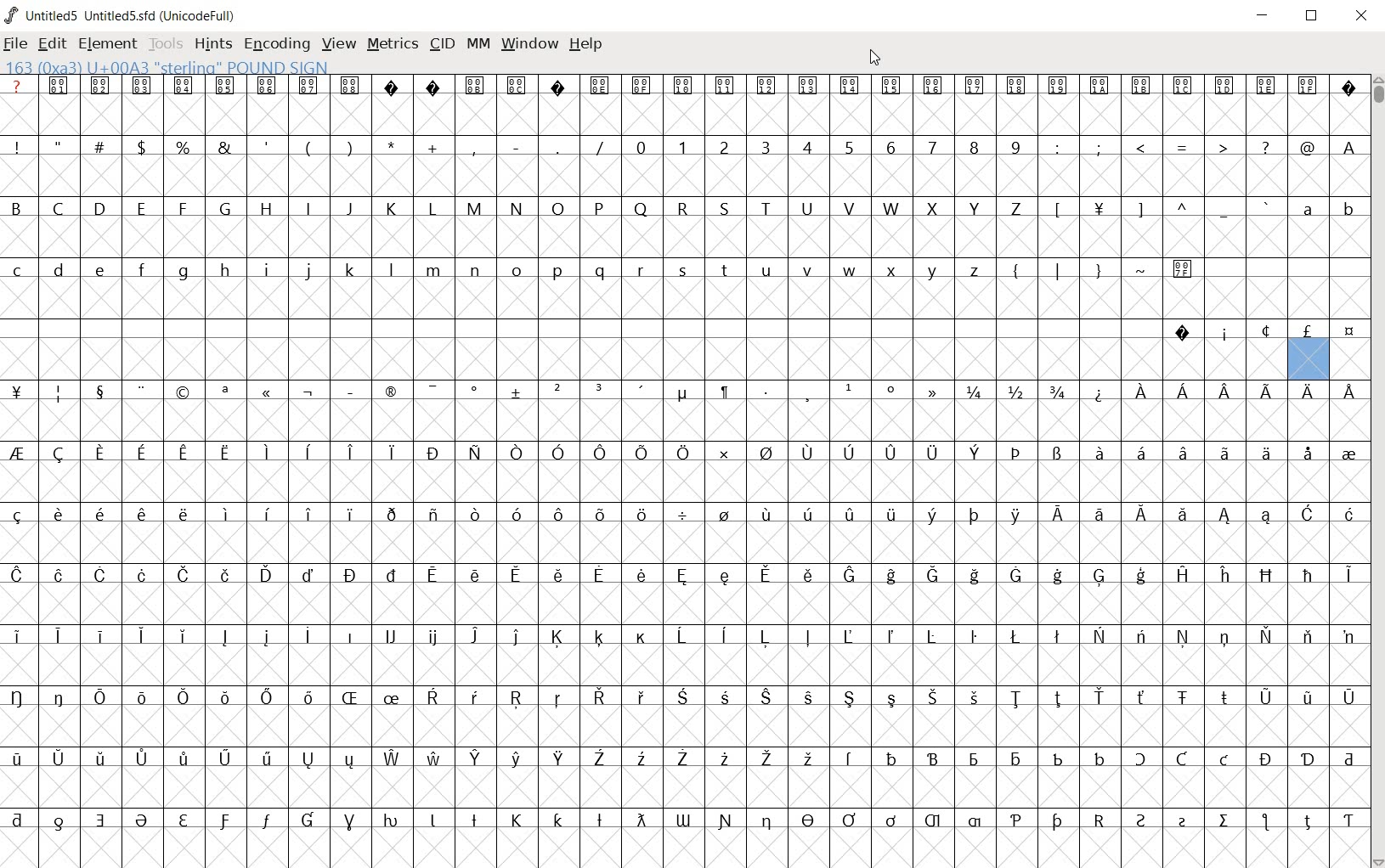 The height and width of the screenshot is (868, 1385). I want to click on =, so click(1183, 147).